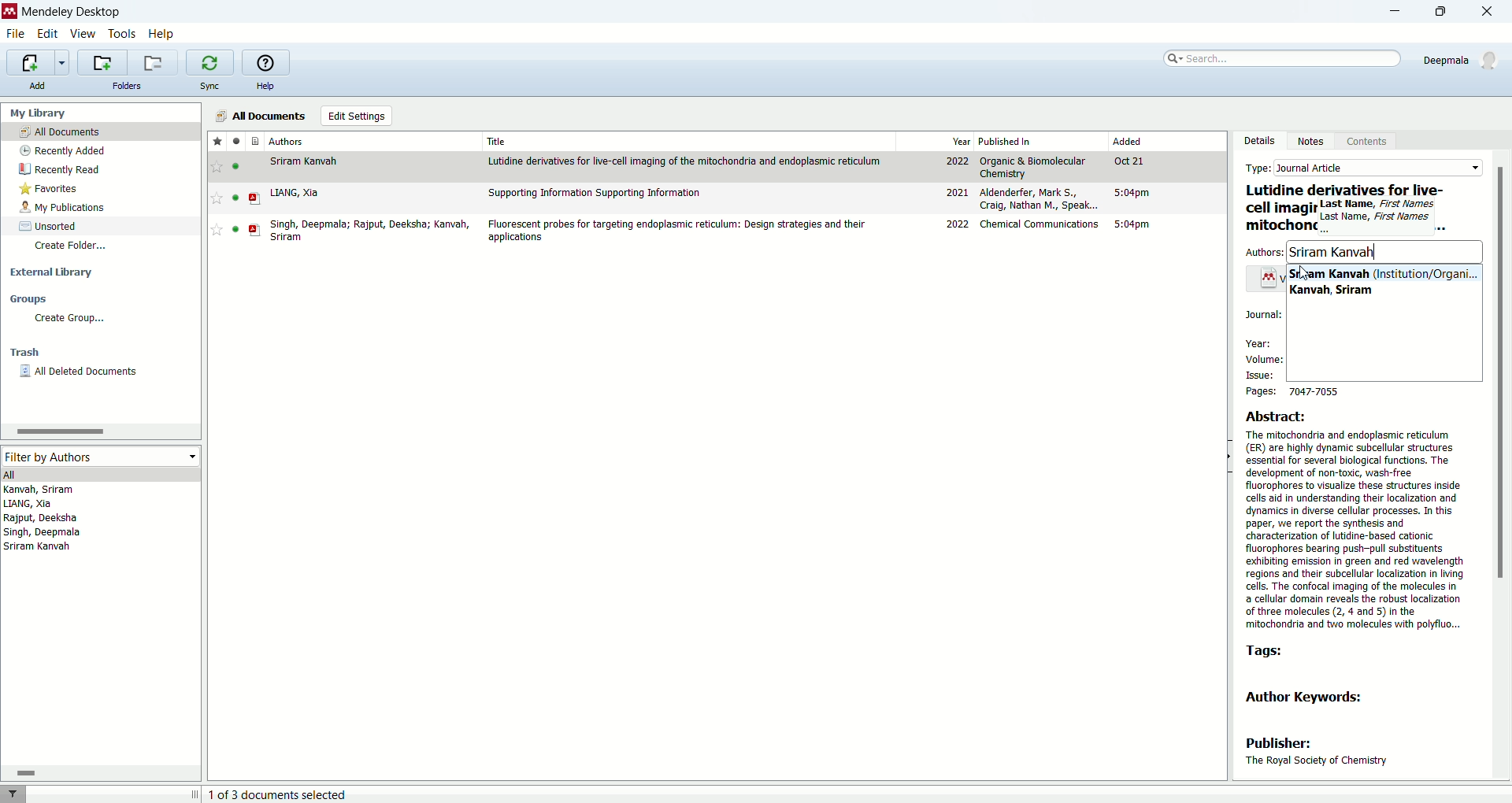  I want to click on my publications, so click(61, 209).